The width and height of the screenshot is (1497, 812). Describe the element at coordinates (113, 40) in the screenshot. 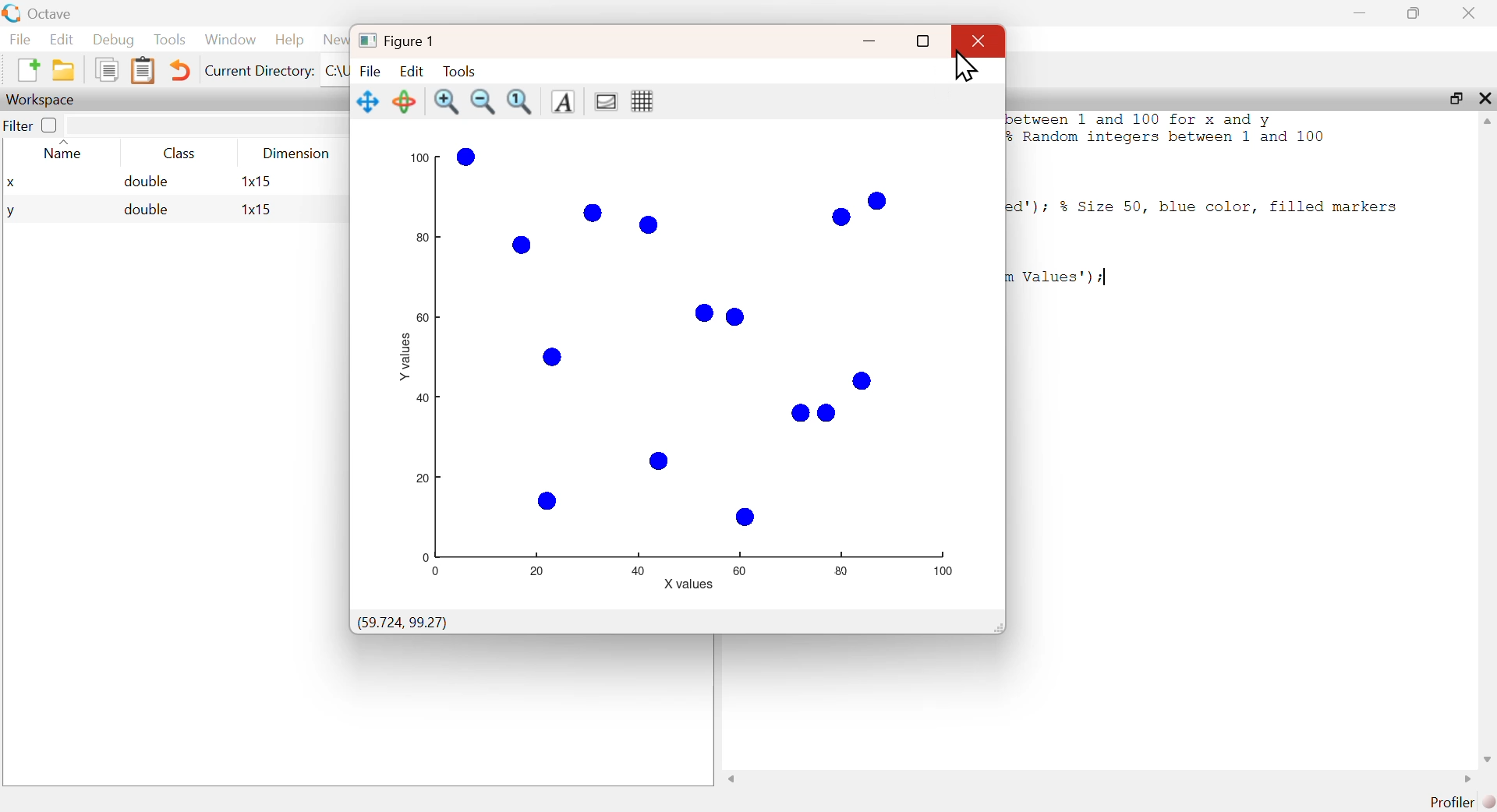

I see `Debug` at that location.